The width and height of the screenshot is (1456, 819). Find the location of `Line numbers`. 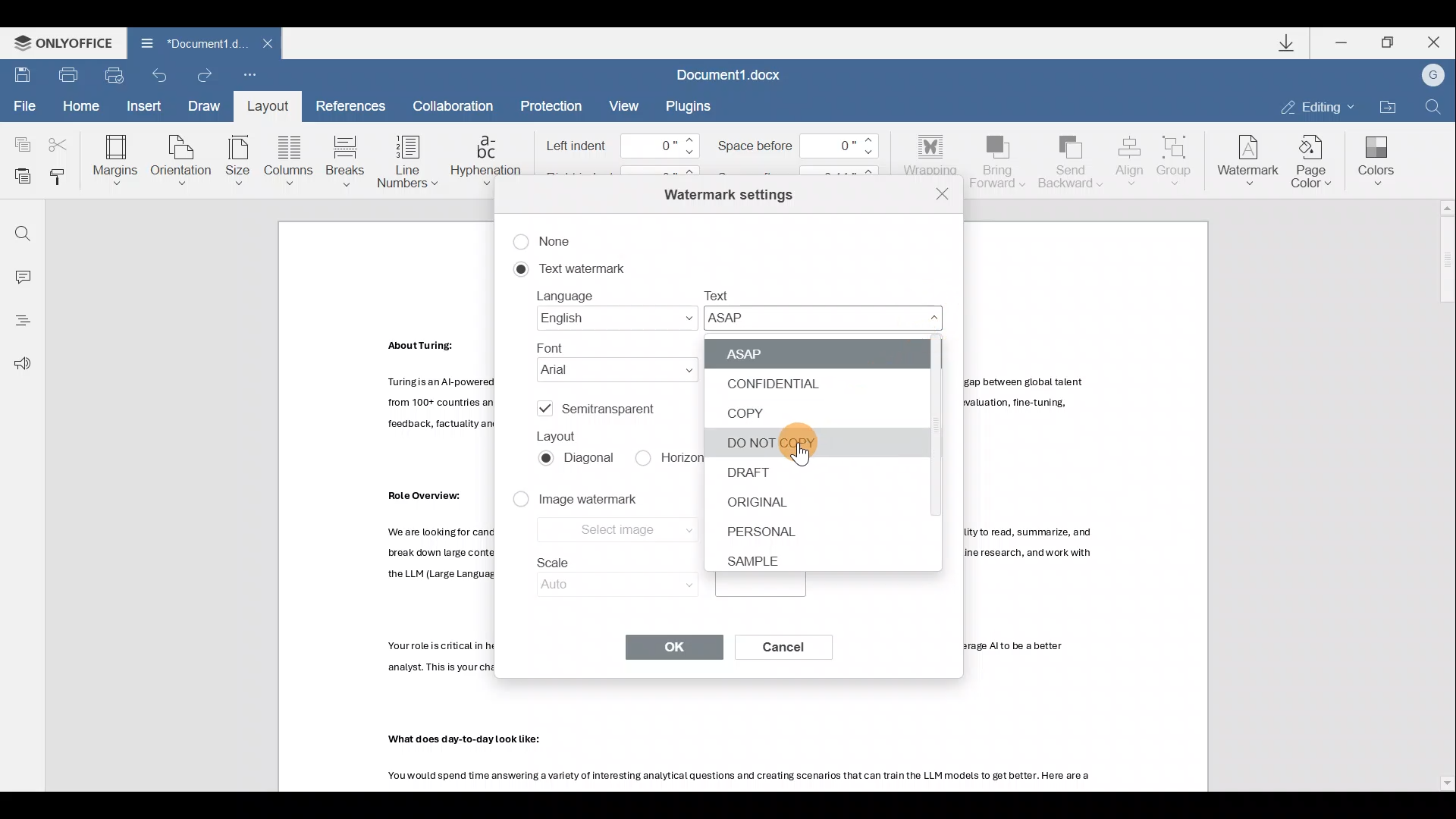

Line numbers is located at coordinates (405, 161).